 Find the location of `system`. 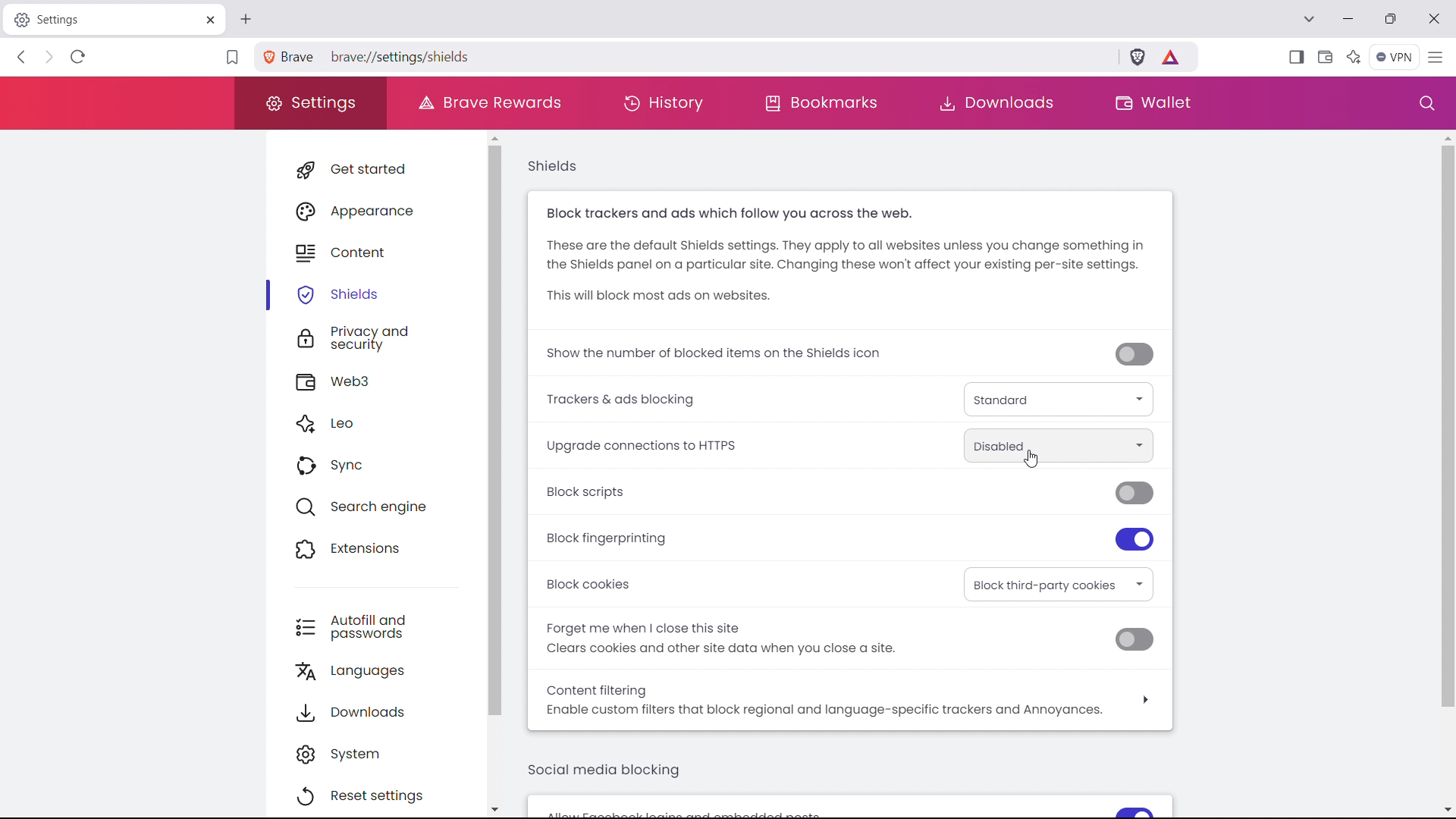

system is located at coordinates (380, 752).